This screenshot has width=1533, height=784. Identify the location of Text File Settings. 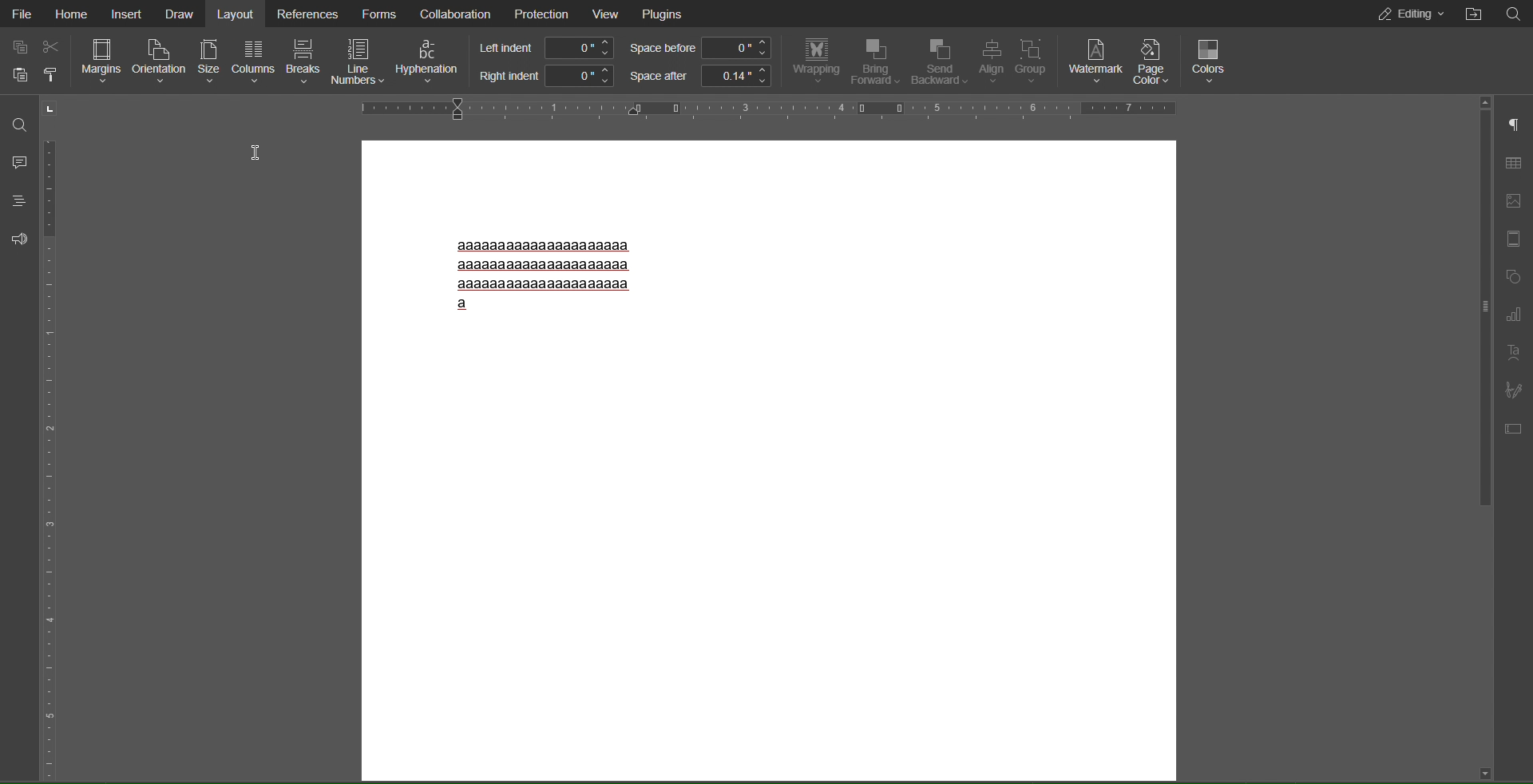
(1514, 426).